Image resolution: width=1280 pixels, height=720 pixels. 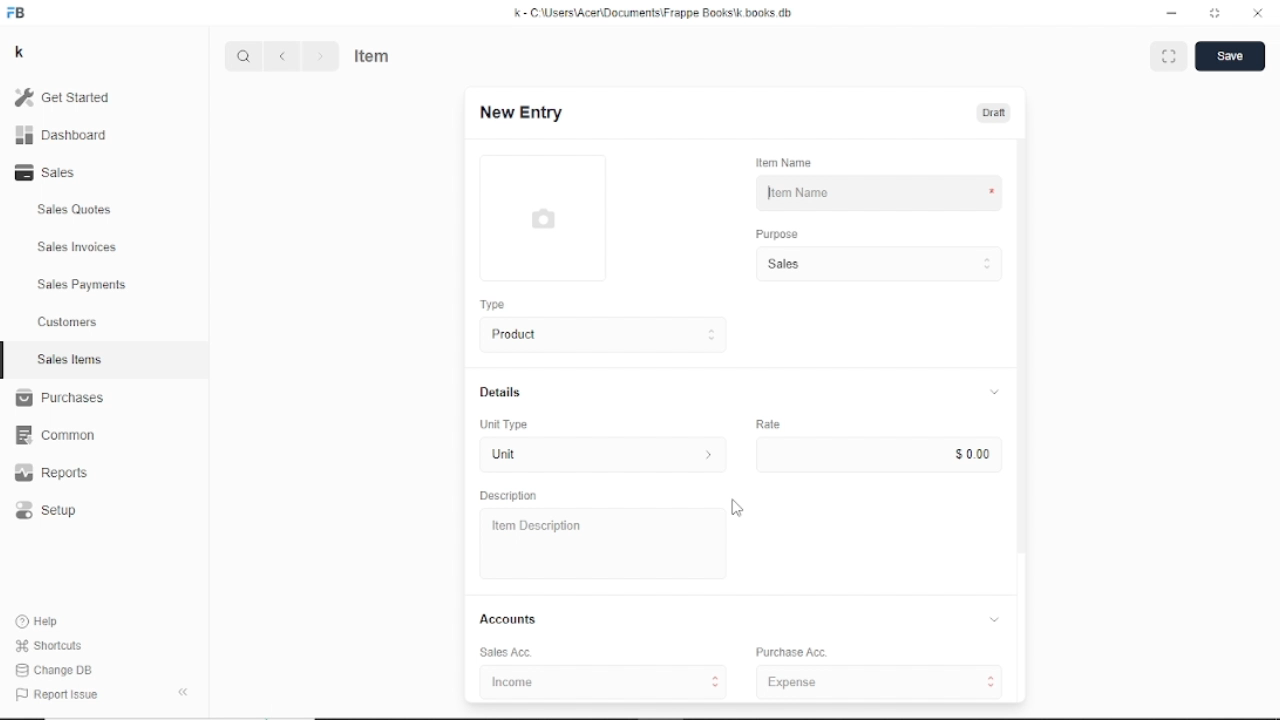 What do you see at coordinates (509, 496) in the screenshot?
I see `Description` at bounding box center [509, 496].